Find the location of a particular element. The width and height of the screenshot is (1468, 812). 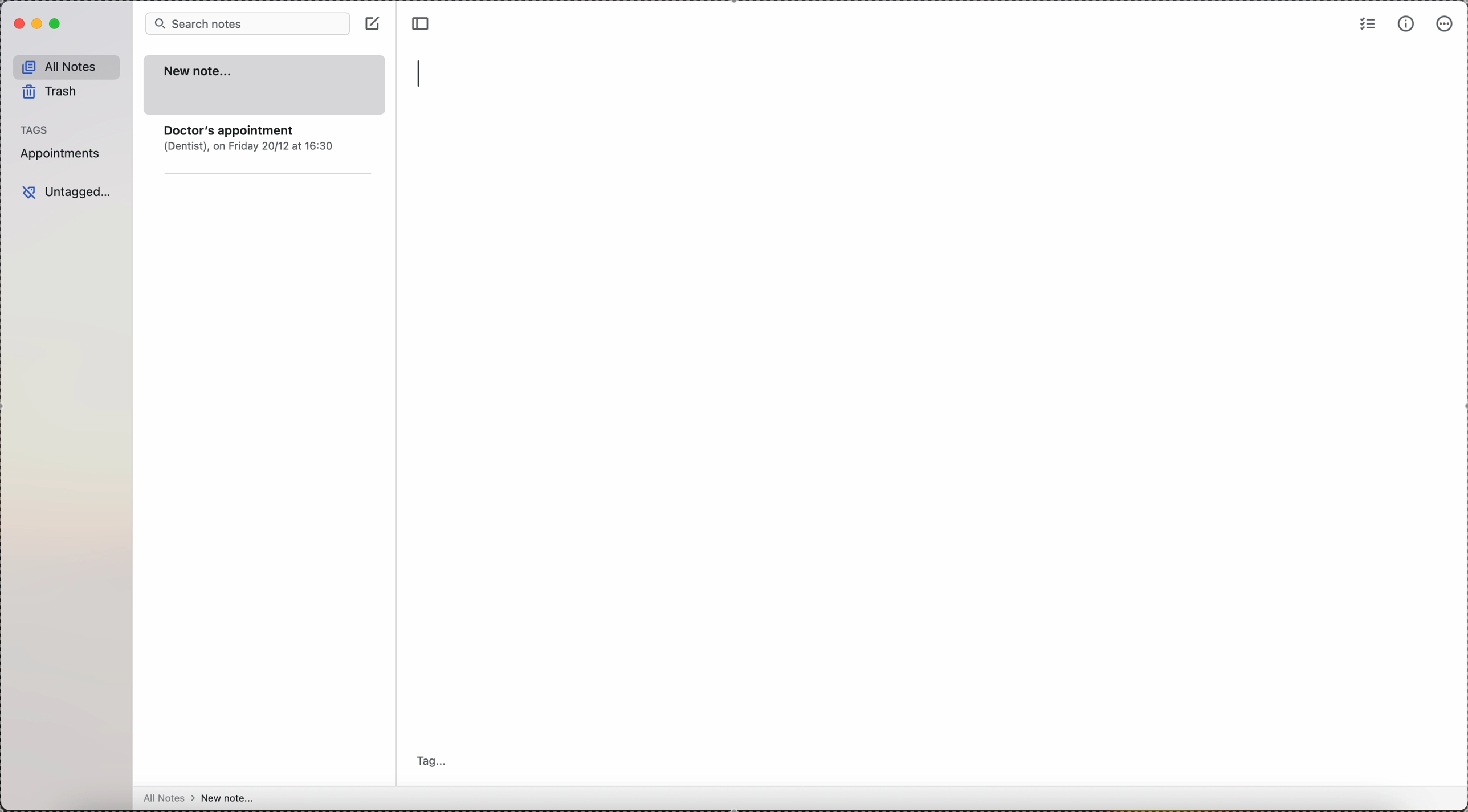

check list is located at coordinates (1366, 25).